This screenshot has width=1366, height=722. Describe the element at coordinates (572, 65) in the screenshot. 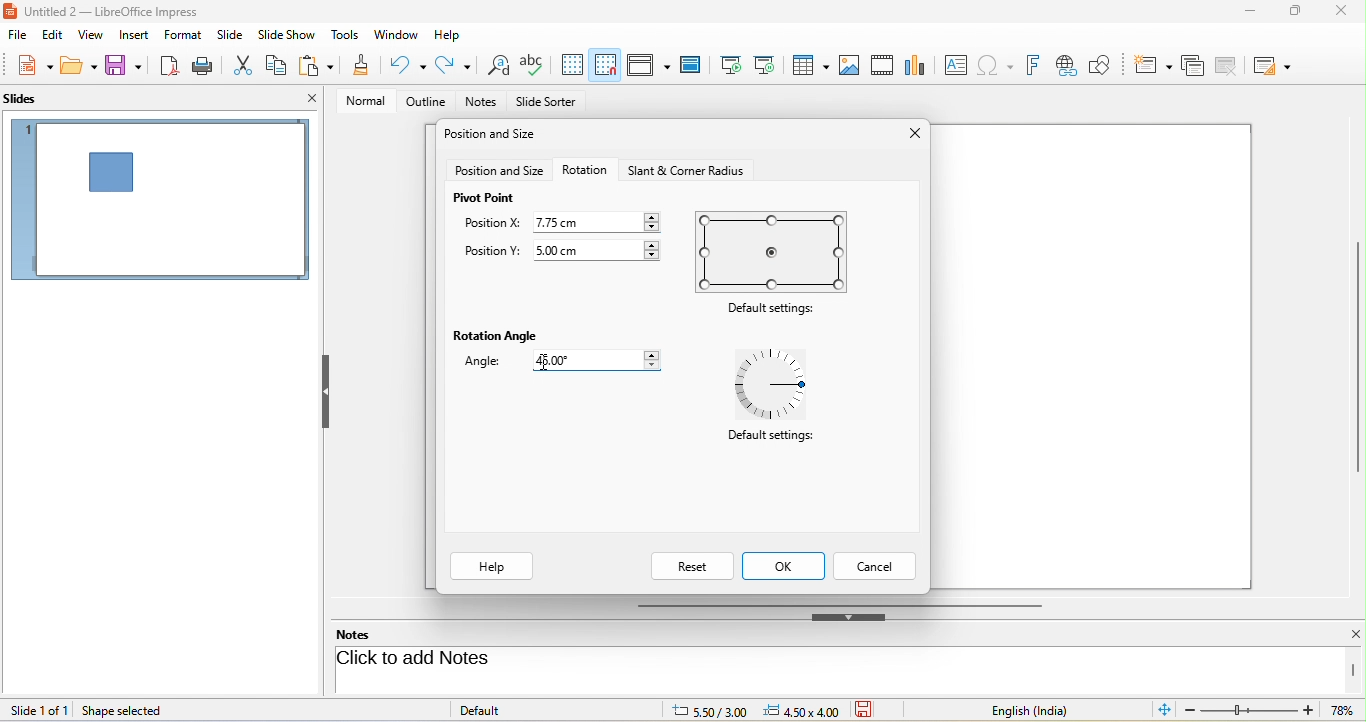

I see `display grid` at that location.